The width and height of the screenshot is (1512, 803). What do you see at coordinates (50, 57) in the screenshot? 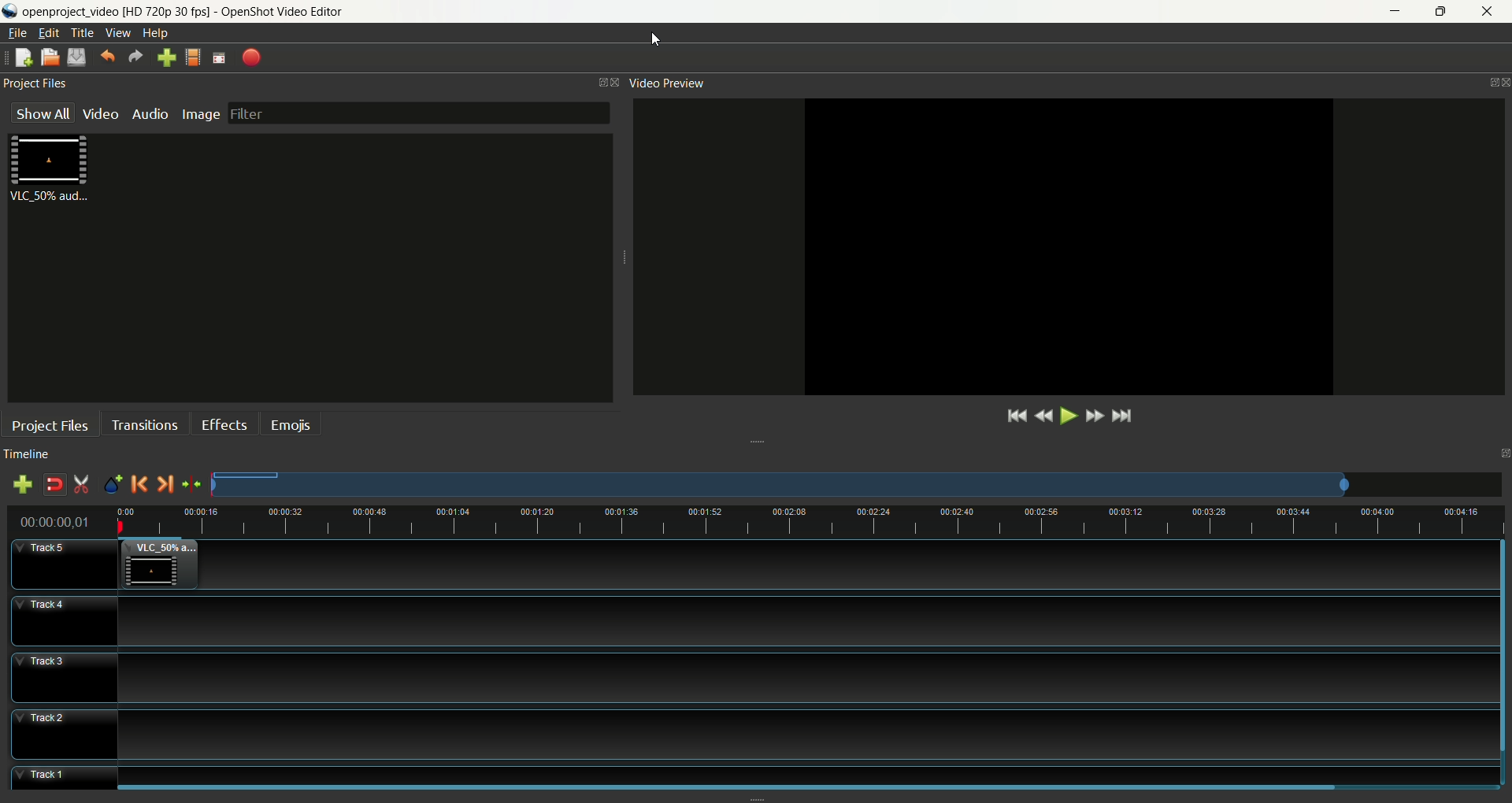
I see `open project` at bounding box center [50, 57].